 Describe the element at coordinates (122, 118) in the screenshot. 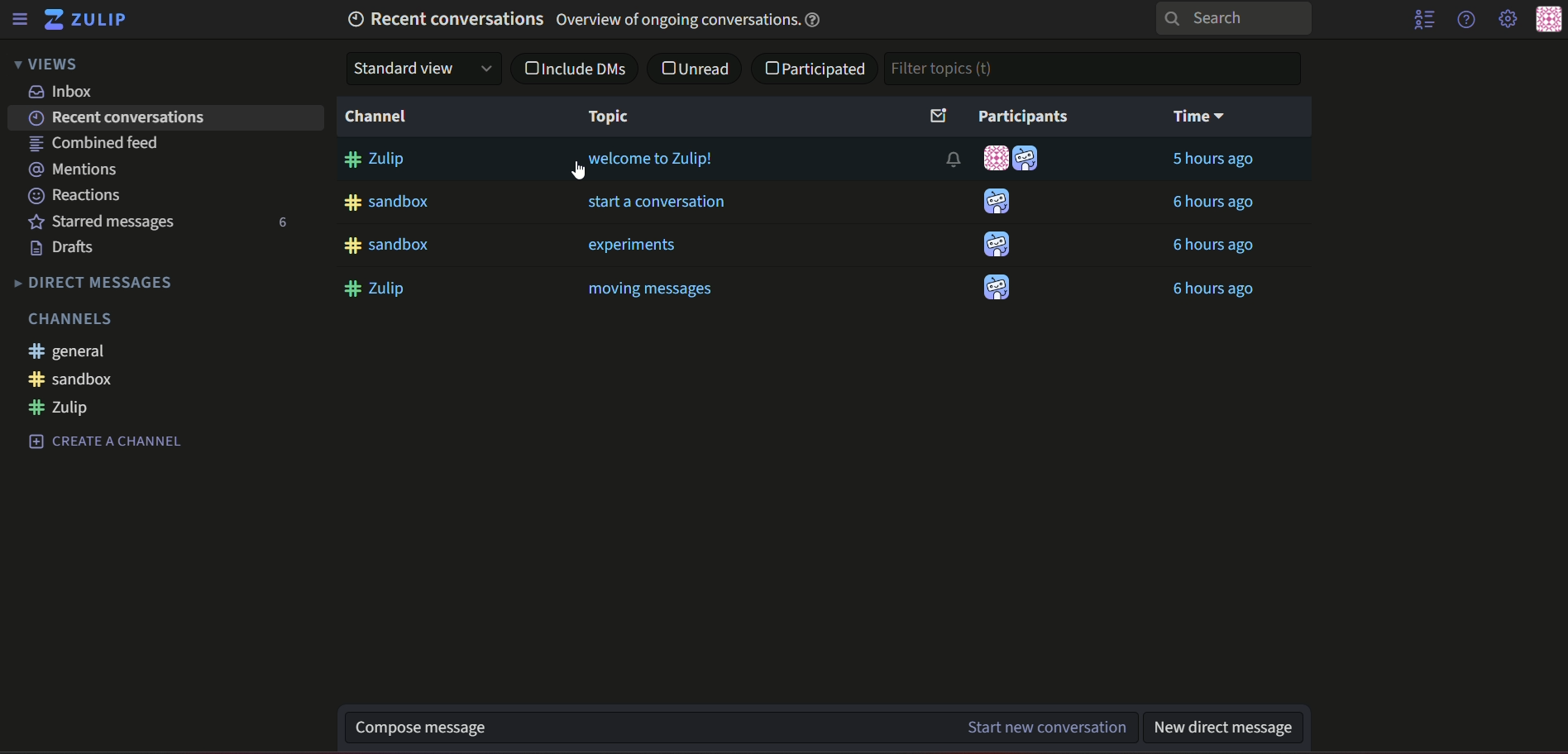

I see `Recent conversations` at that location.